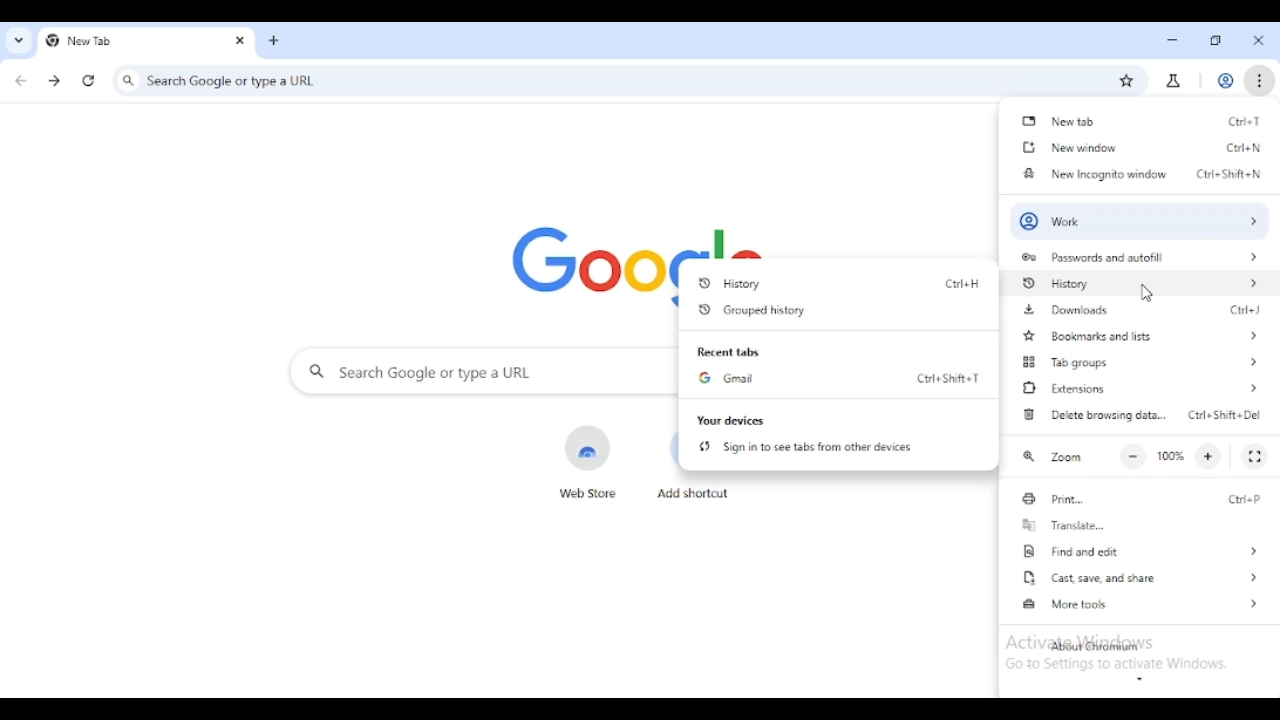 Image resolution: width=1280 pixels, height=720 pixels. What do you see at coordinates (1208, 457) in the screenshot?
I see `make text larger` at bounding box center [1208, 457].